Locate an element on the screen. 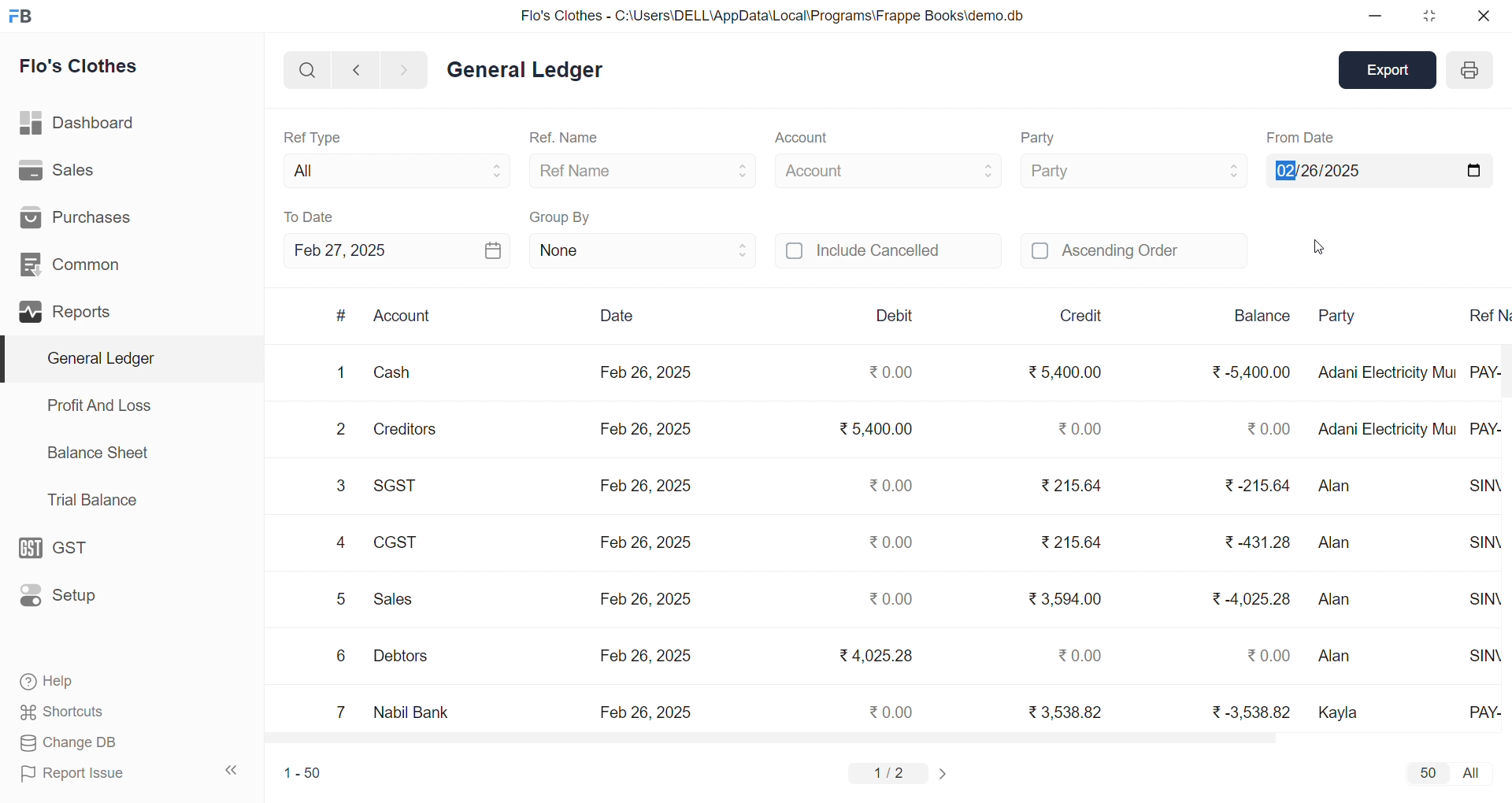 The width and height of the screenshot is (1512, 803). ALL is located at coordinates (1473, 774).